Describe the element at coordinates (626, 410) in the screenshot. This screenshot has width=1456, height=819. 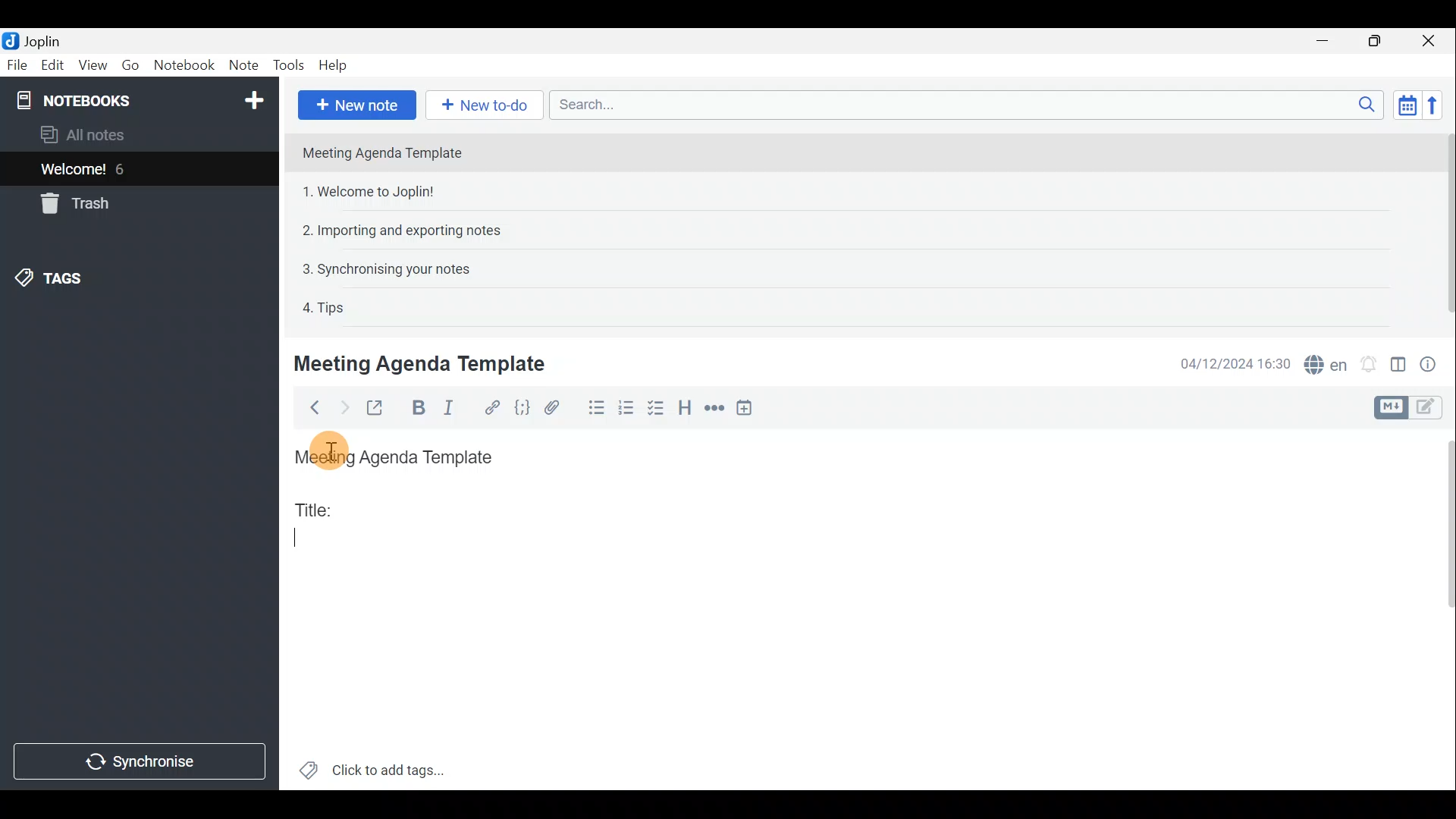
I see `Numbered list` at that location.